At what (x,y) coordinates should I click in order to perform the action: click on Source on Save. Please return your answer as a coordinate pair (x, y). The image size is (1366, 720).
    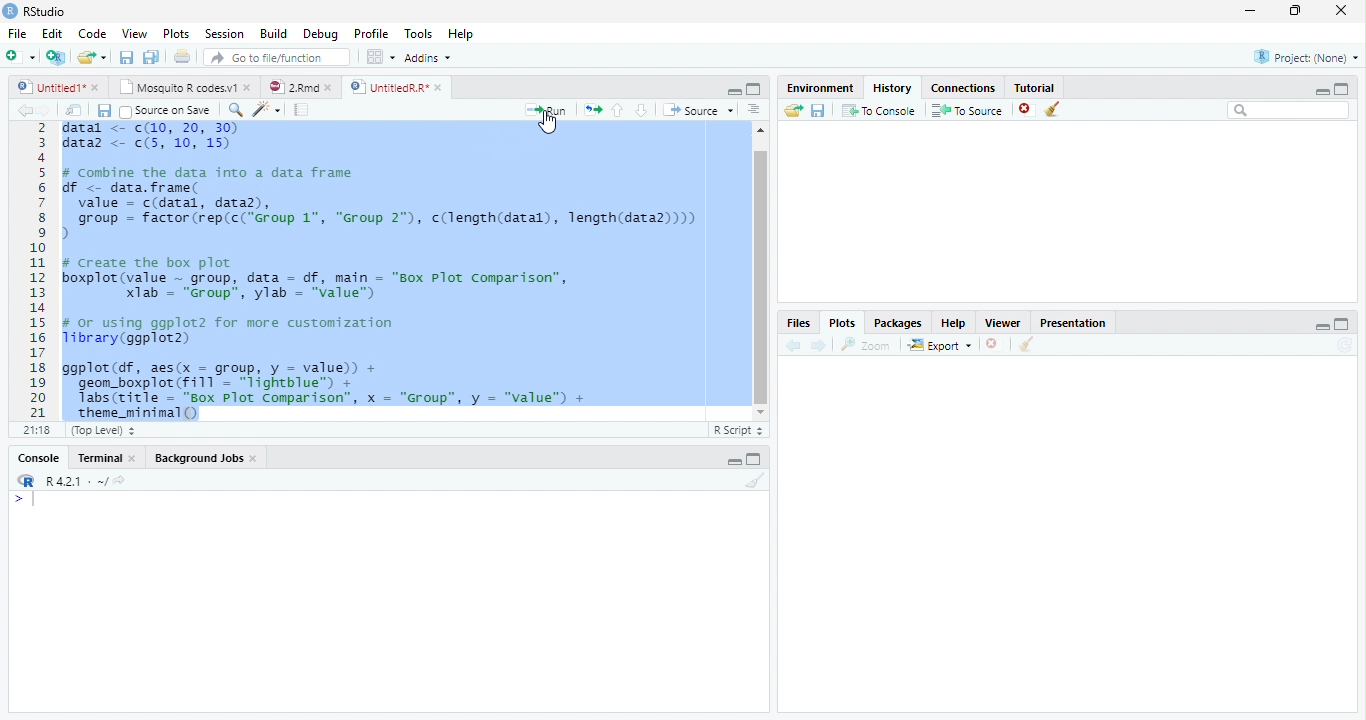
    Looking at the image, I should click on (168, 111).